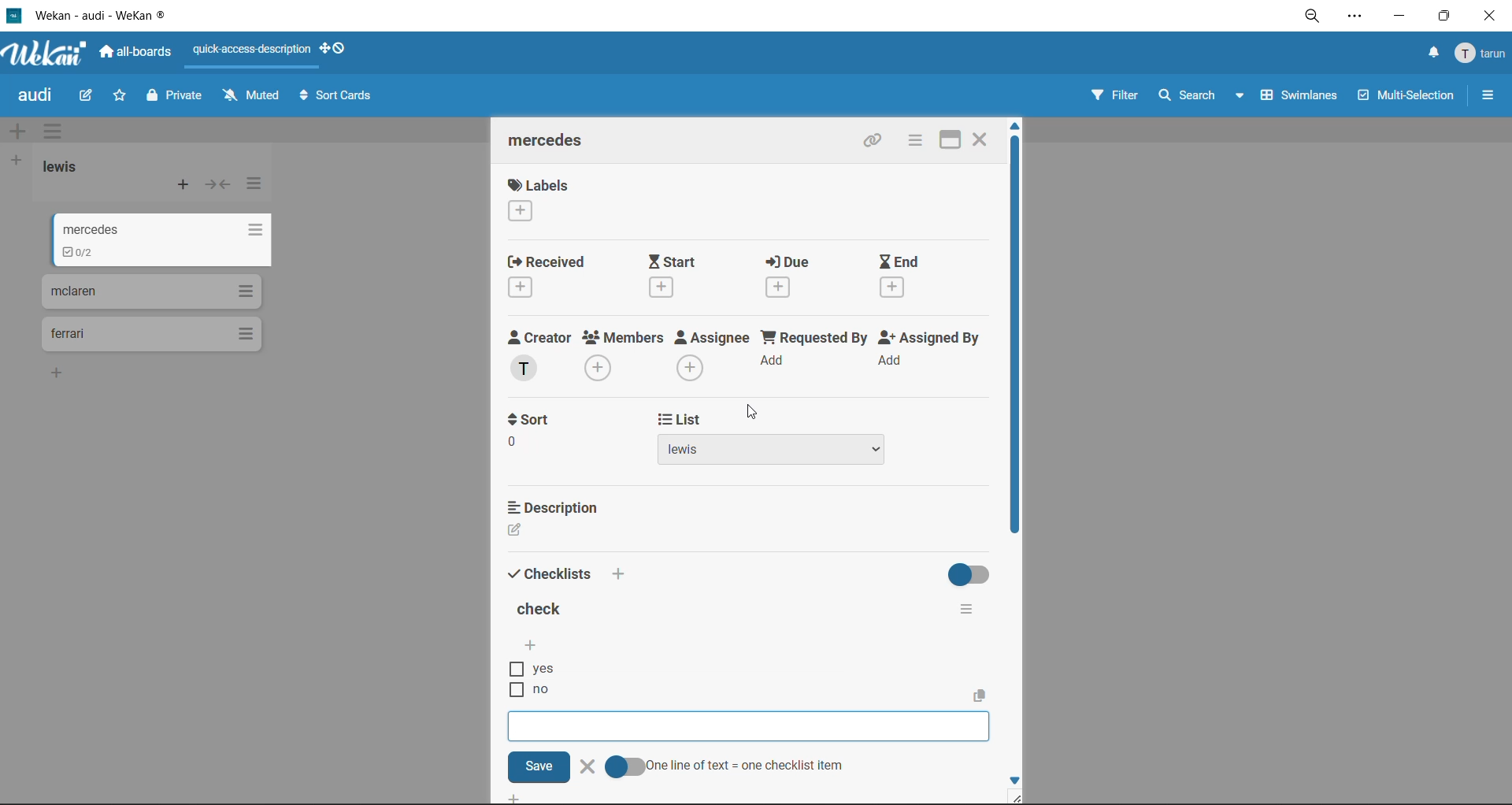 The image size is (1512, 805). Describe the element at coordinates (255, 183) in the screenshot. I see `list actions` at that location.